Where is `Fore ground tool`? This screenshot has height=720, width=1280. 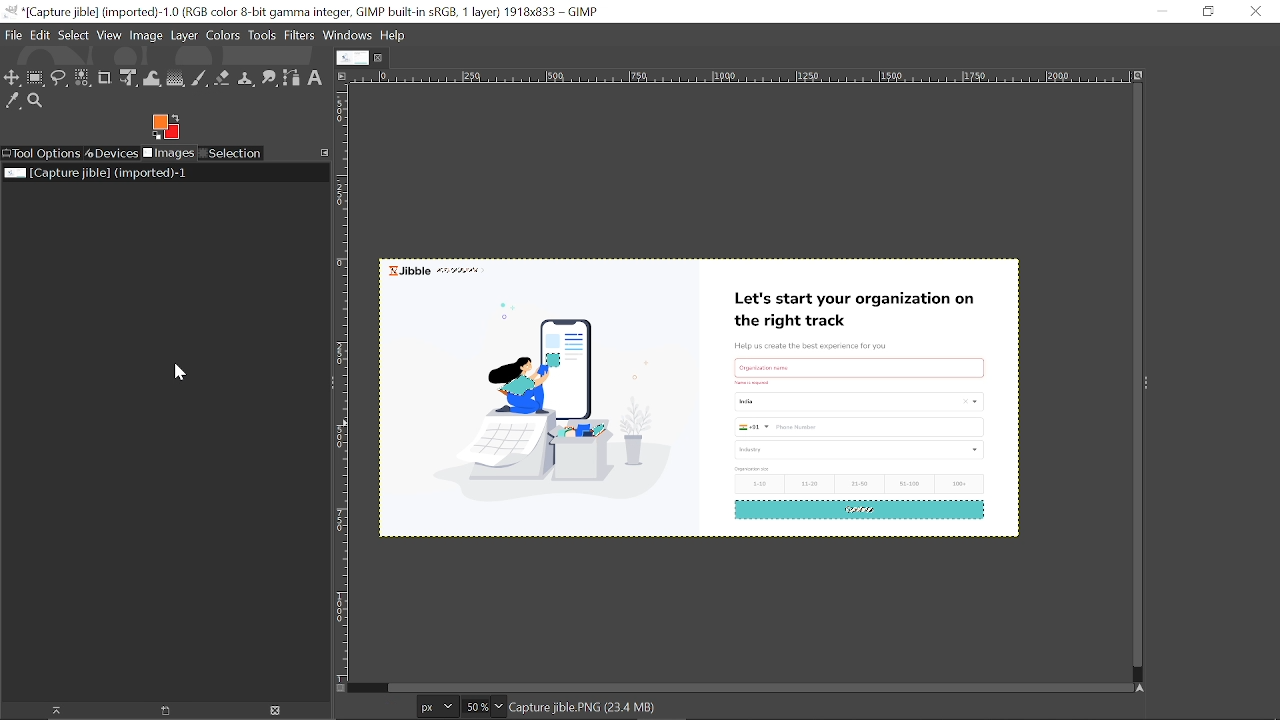
Fore ground tool is located at coordinates (164, 126).